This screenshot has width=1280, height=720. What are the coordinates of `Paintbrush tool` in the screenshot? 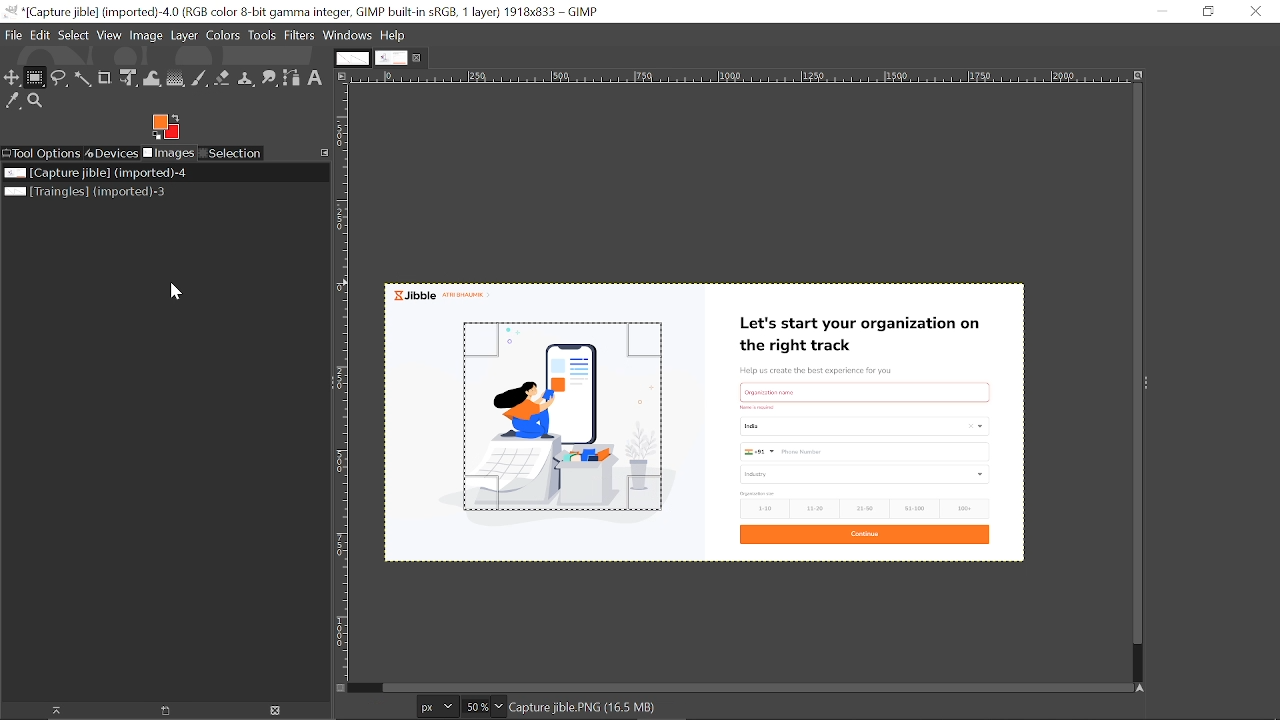 It's located at (201, 77).